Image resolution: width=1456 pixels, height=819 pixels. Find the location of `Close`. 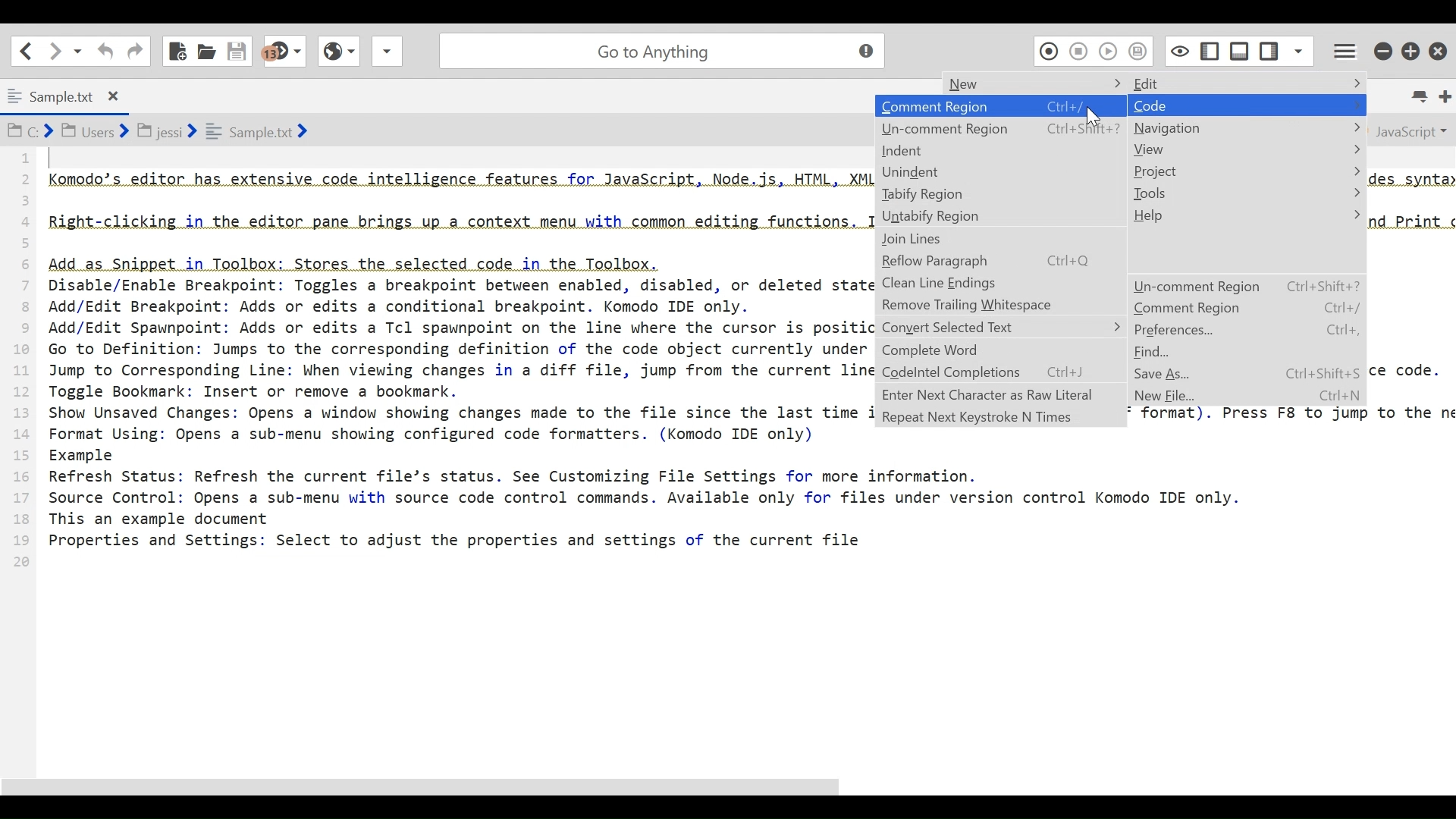

Close is located at coordinates (1440, 47).